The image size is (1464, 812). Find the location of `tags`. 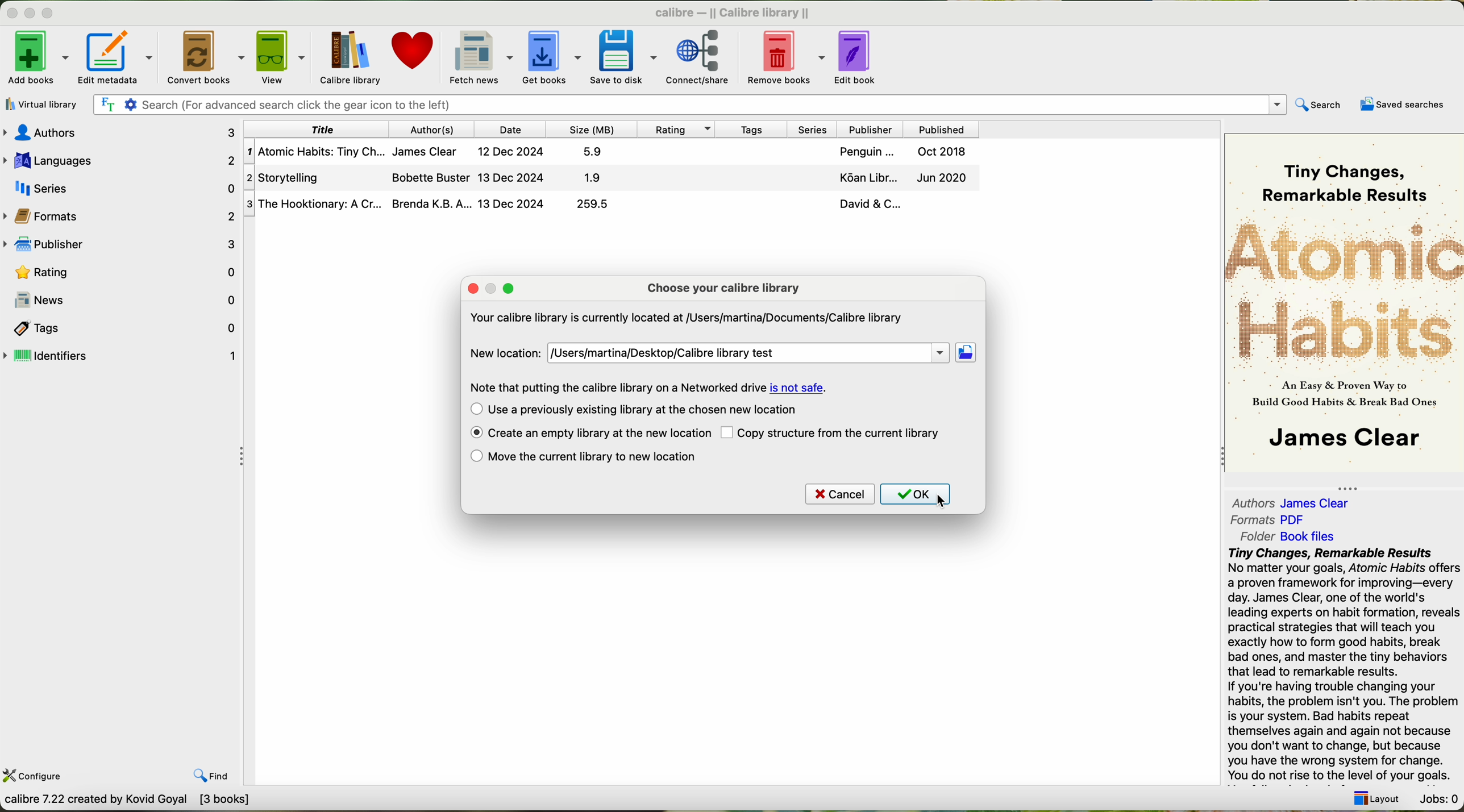

tags is located at coordinates (122, 327).